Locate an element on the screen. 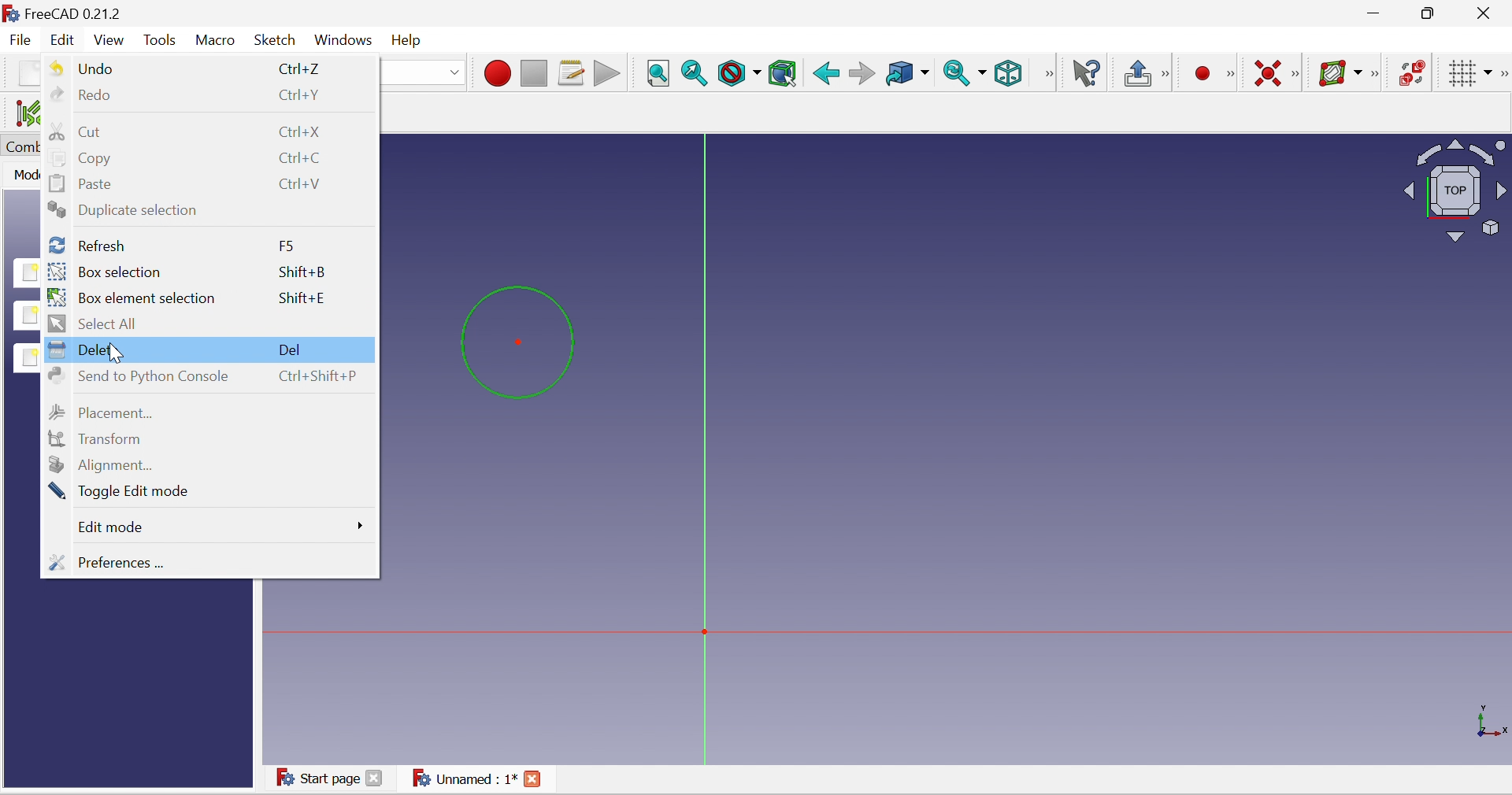  Copy is located at coordinates (83, 158).